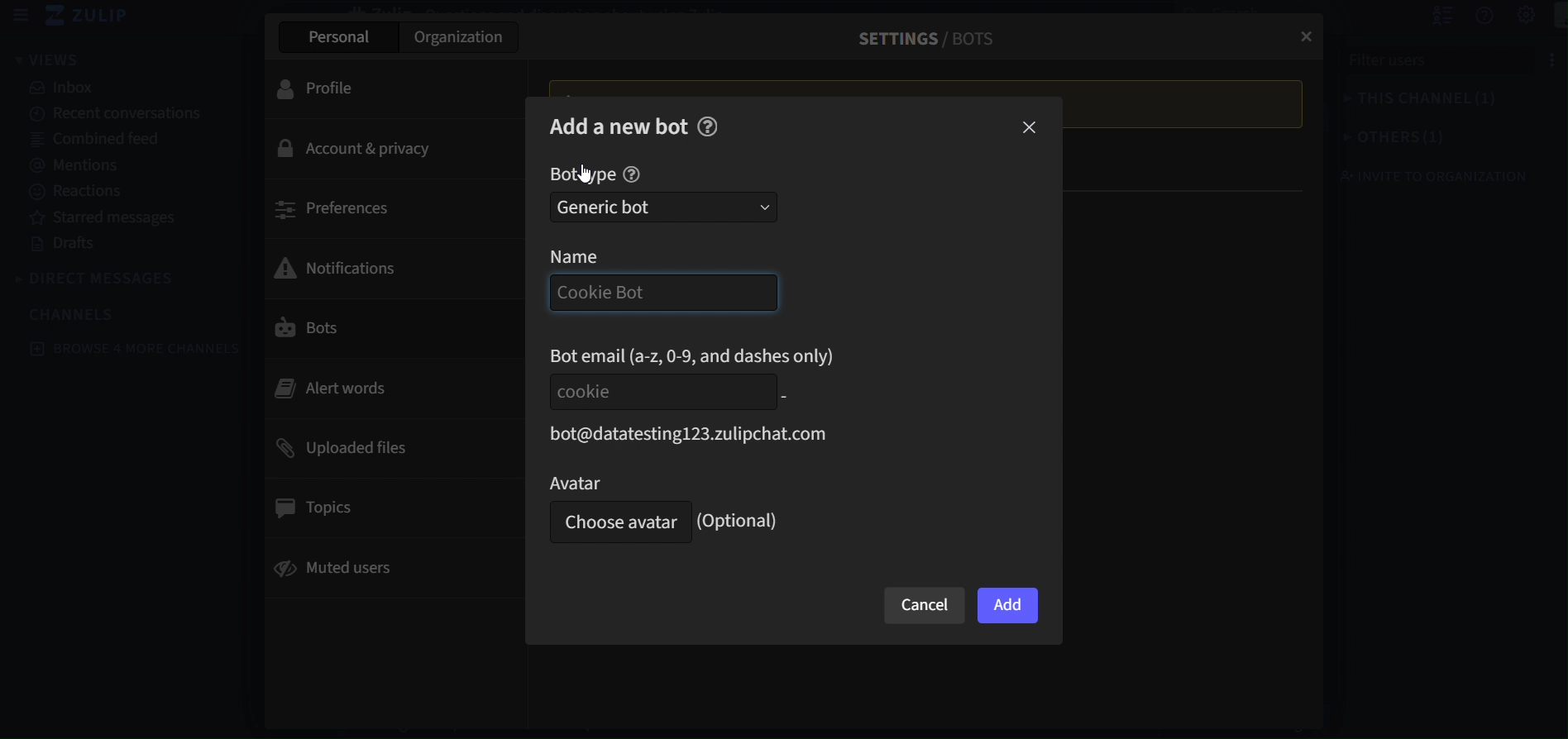 This screenshot has height=739, width=1568. What do you see at coordinates (925, 606) in the screenshot?
I see `cancel` at bounding box center [925, 606].